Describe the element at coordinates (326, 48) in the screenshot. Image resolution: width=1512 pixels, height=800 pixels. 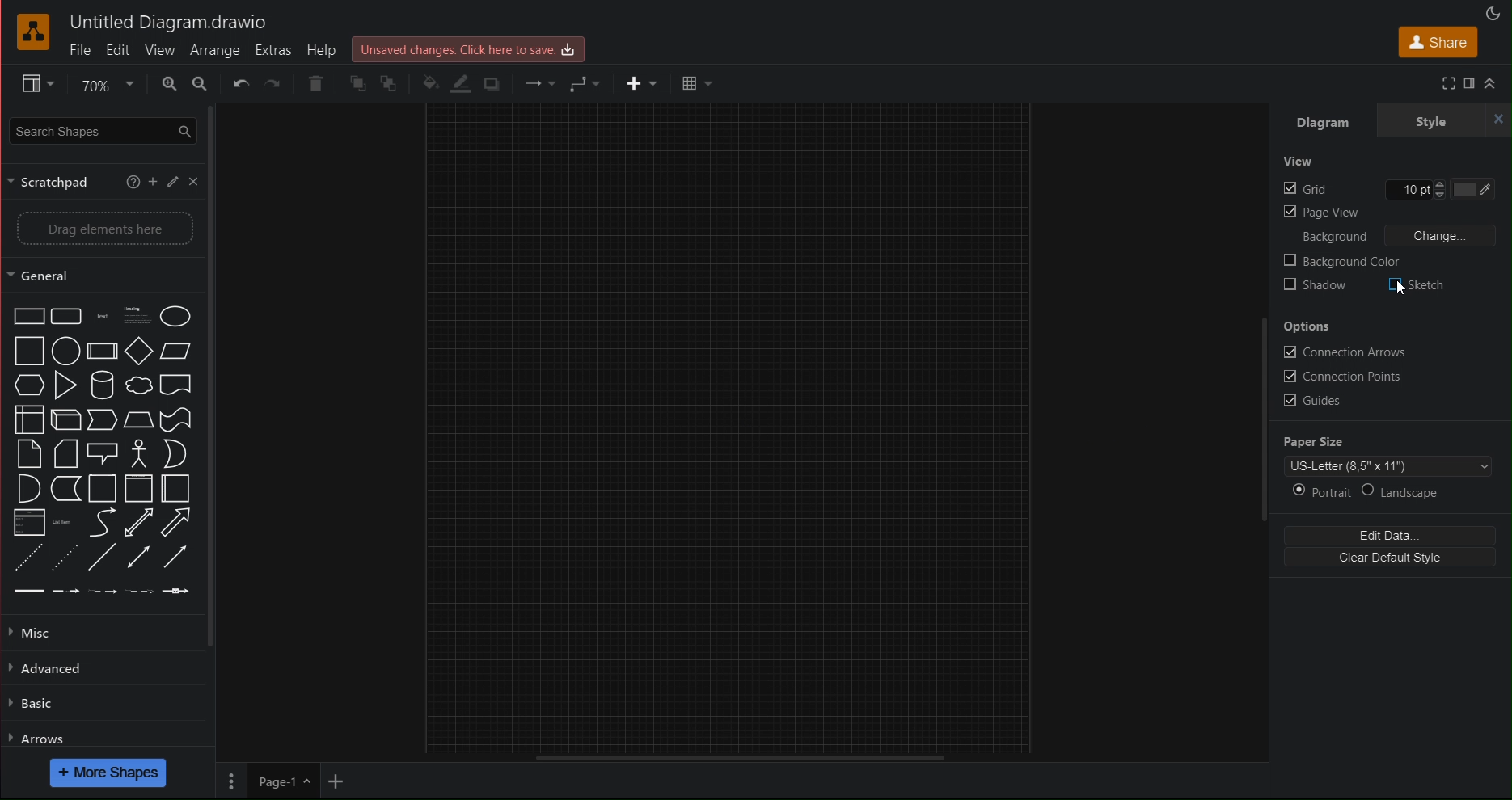
I see `Help` at that location.